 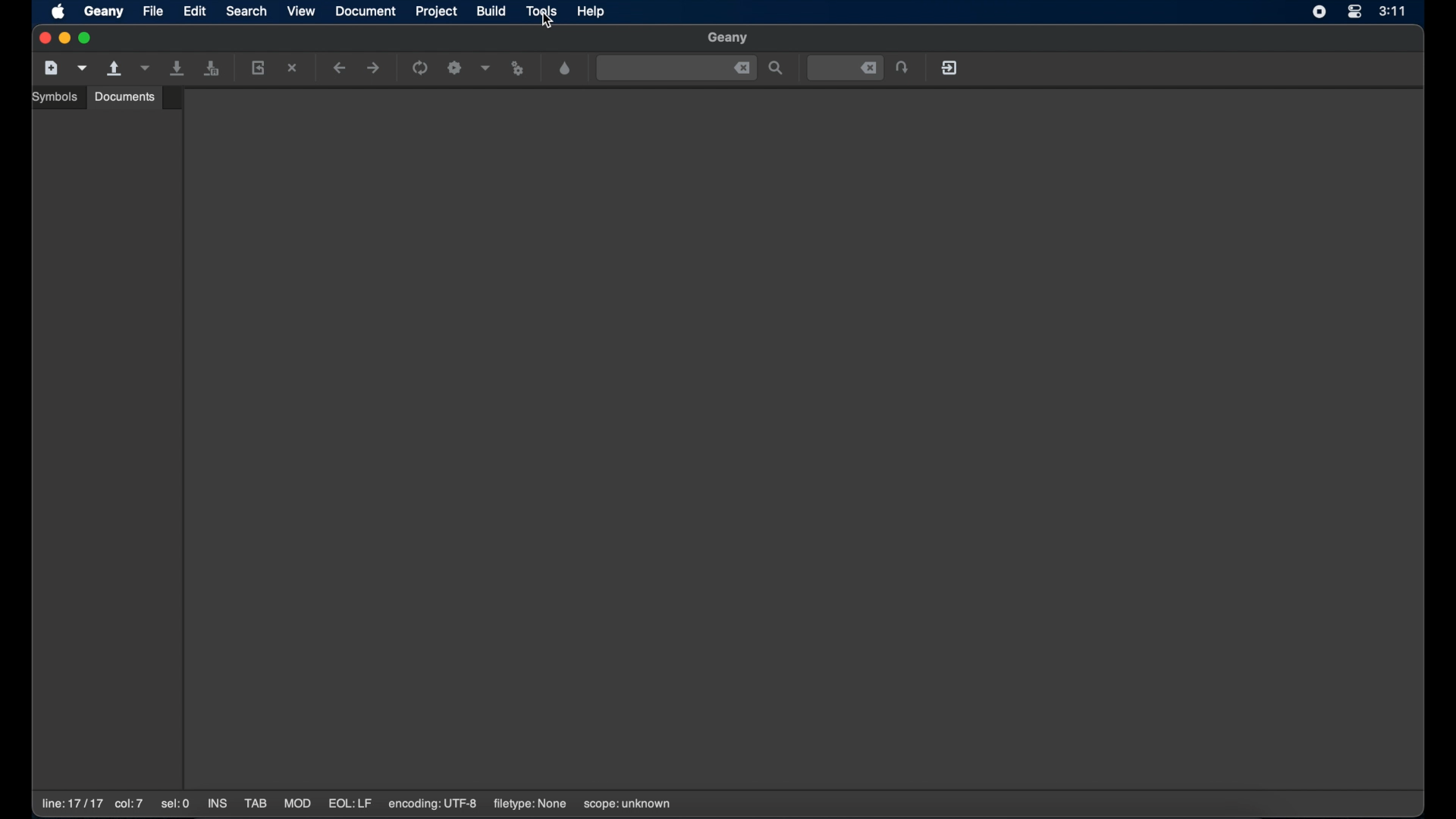 I want to click on close the current file, so click(x=293, y=69).